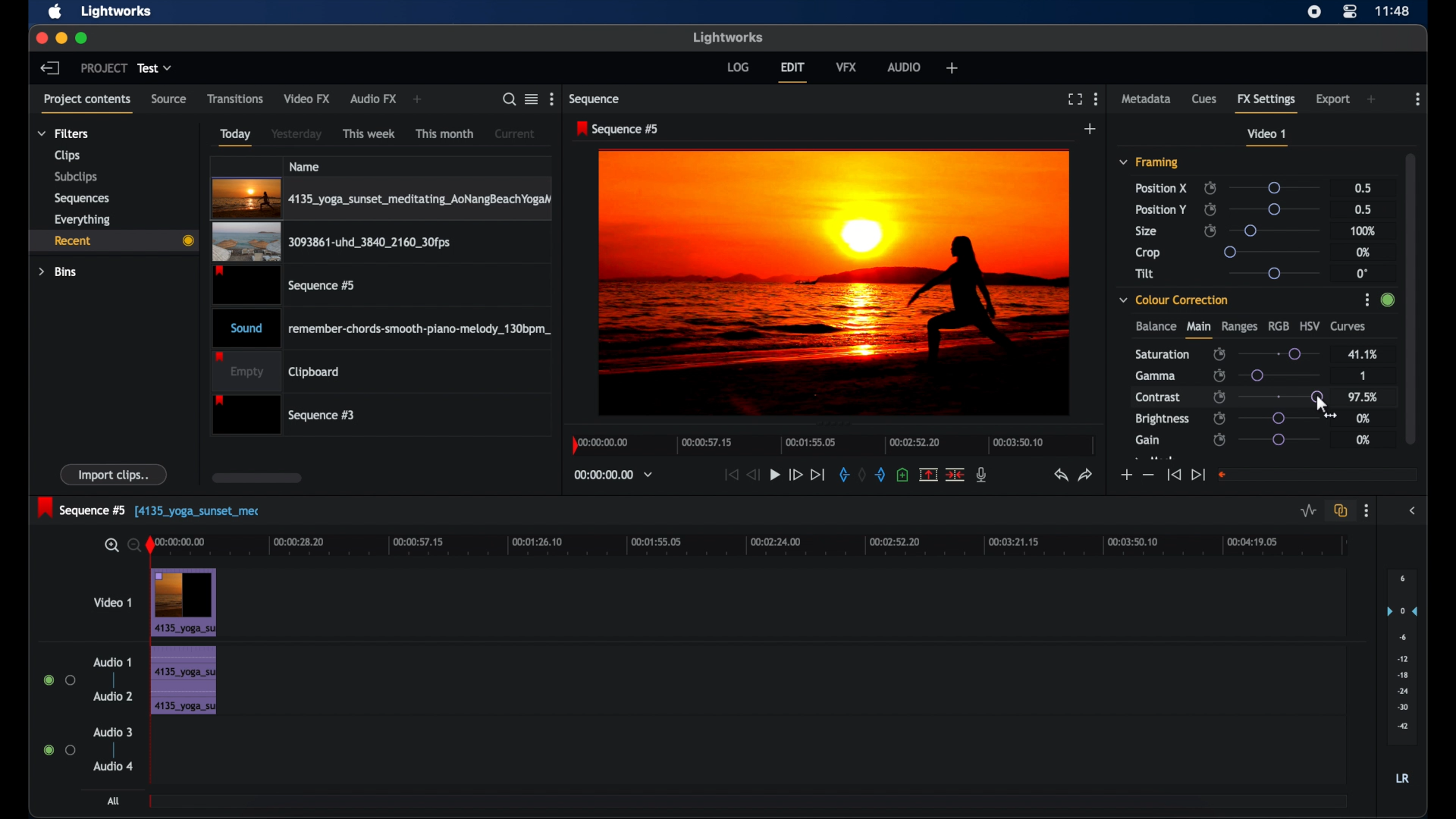  What do you see at coordinates (1318, 397) in the screenshot?
I see `slider` at bounding box center [1318, 397].